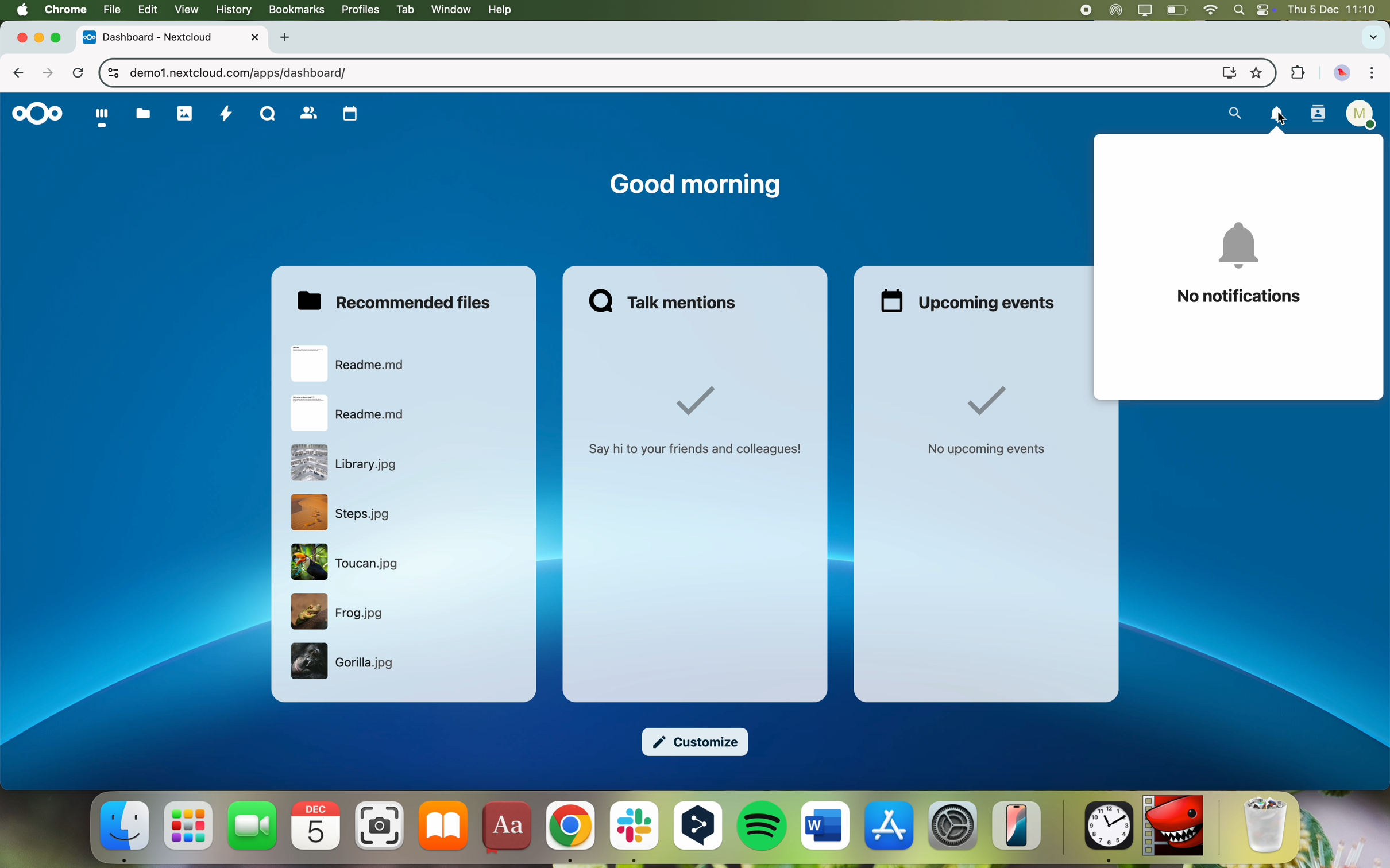 This screenshot has height=868, width=1390. What do you see at coordinates (444, 826) in the screenshot?
I see `iBooks` at bounding box center [444, 826].